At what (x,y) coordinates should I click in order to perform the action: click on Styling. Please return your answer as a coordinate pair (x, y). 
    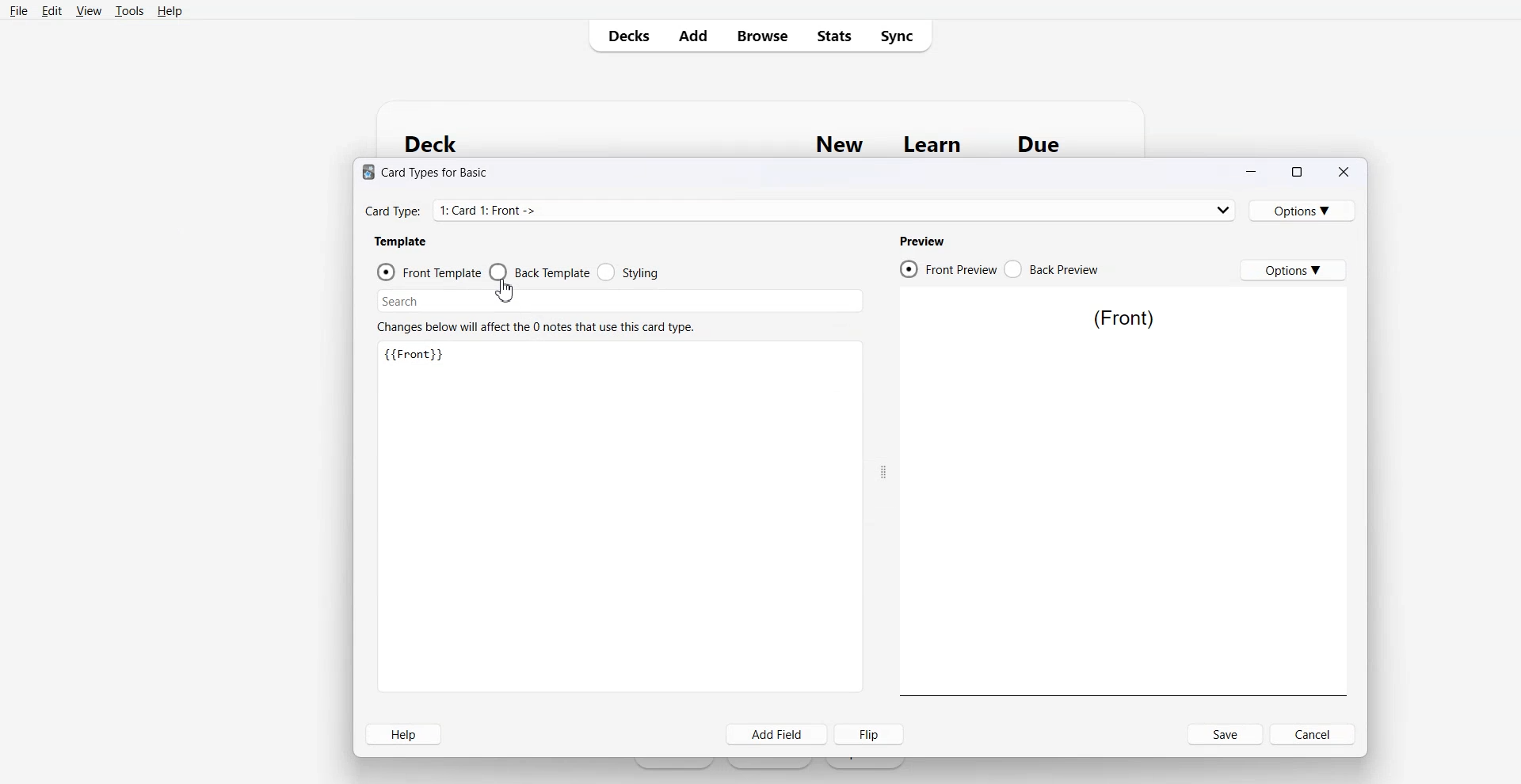
    Looking at the image, I should click on (629, 270).